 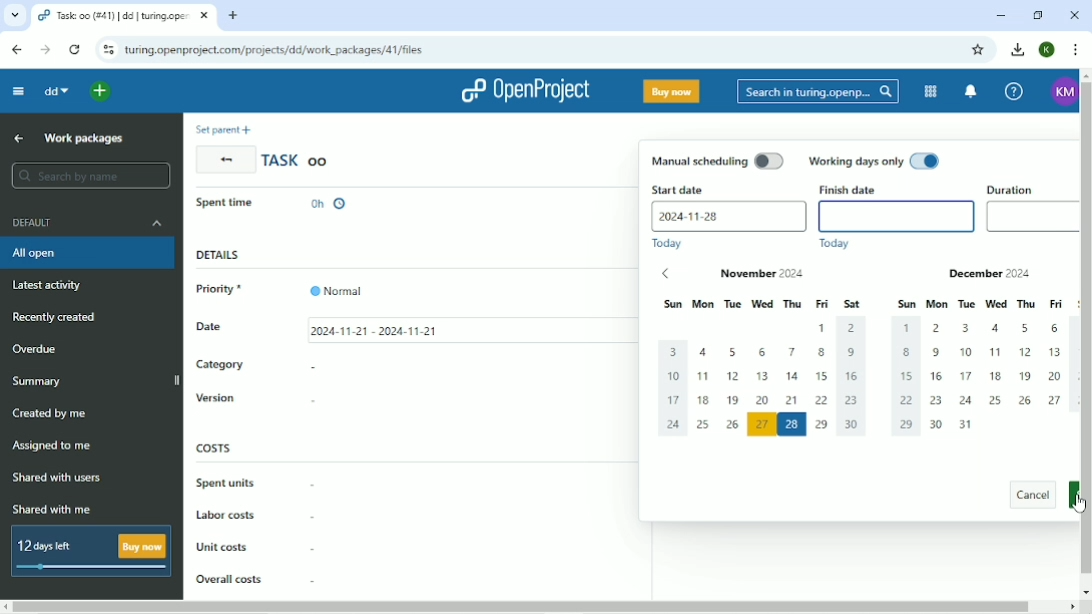 What do you see at coordinates (1073, 15) in the screenshot?
I see `Close` at bounding box center [1073, 15].